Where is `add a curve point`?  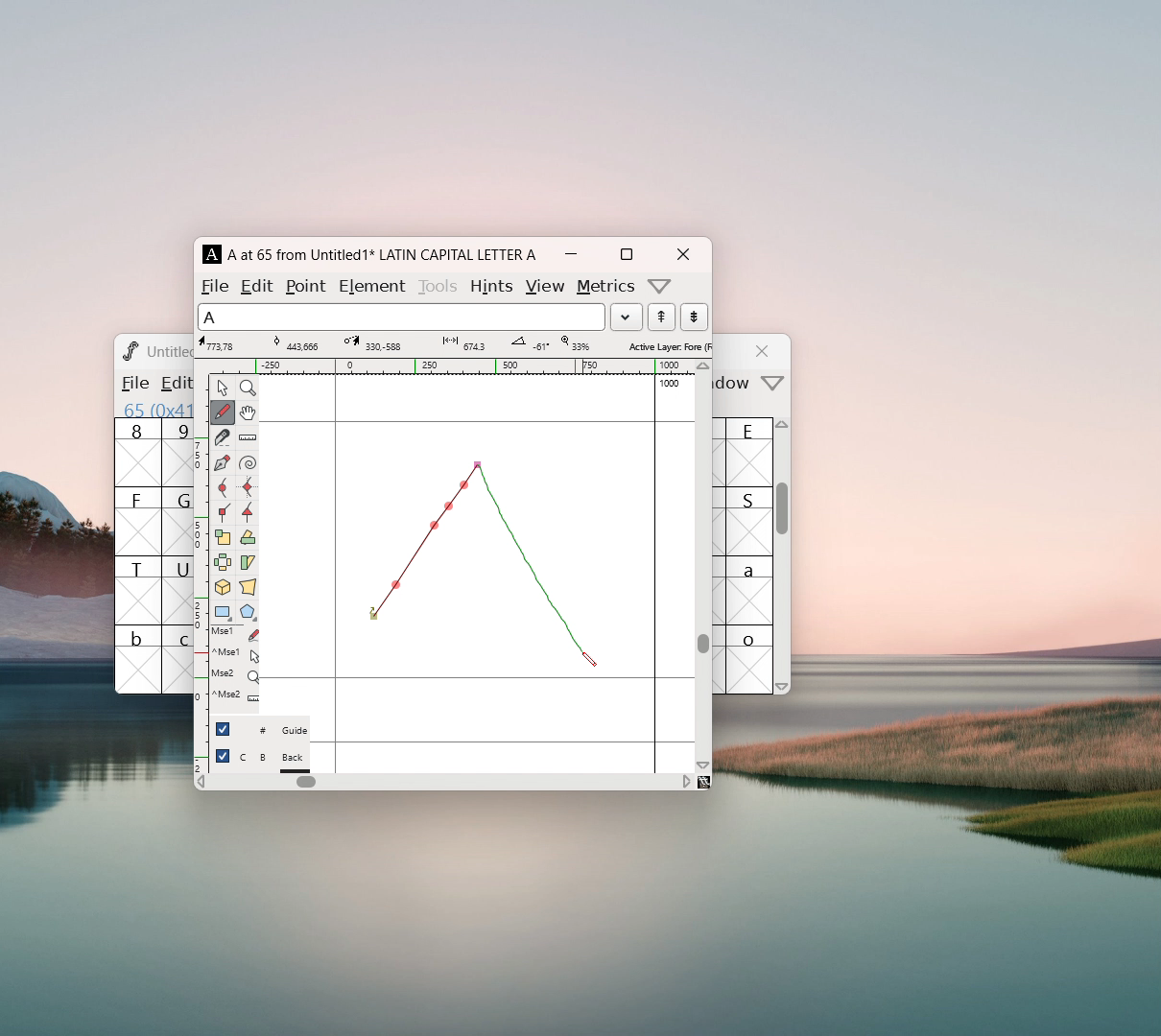 add a curve point is located at coordinates (222, 488).